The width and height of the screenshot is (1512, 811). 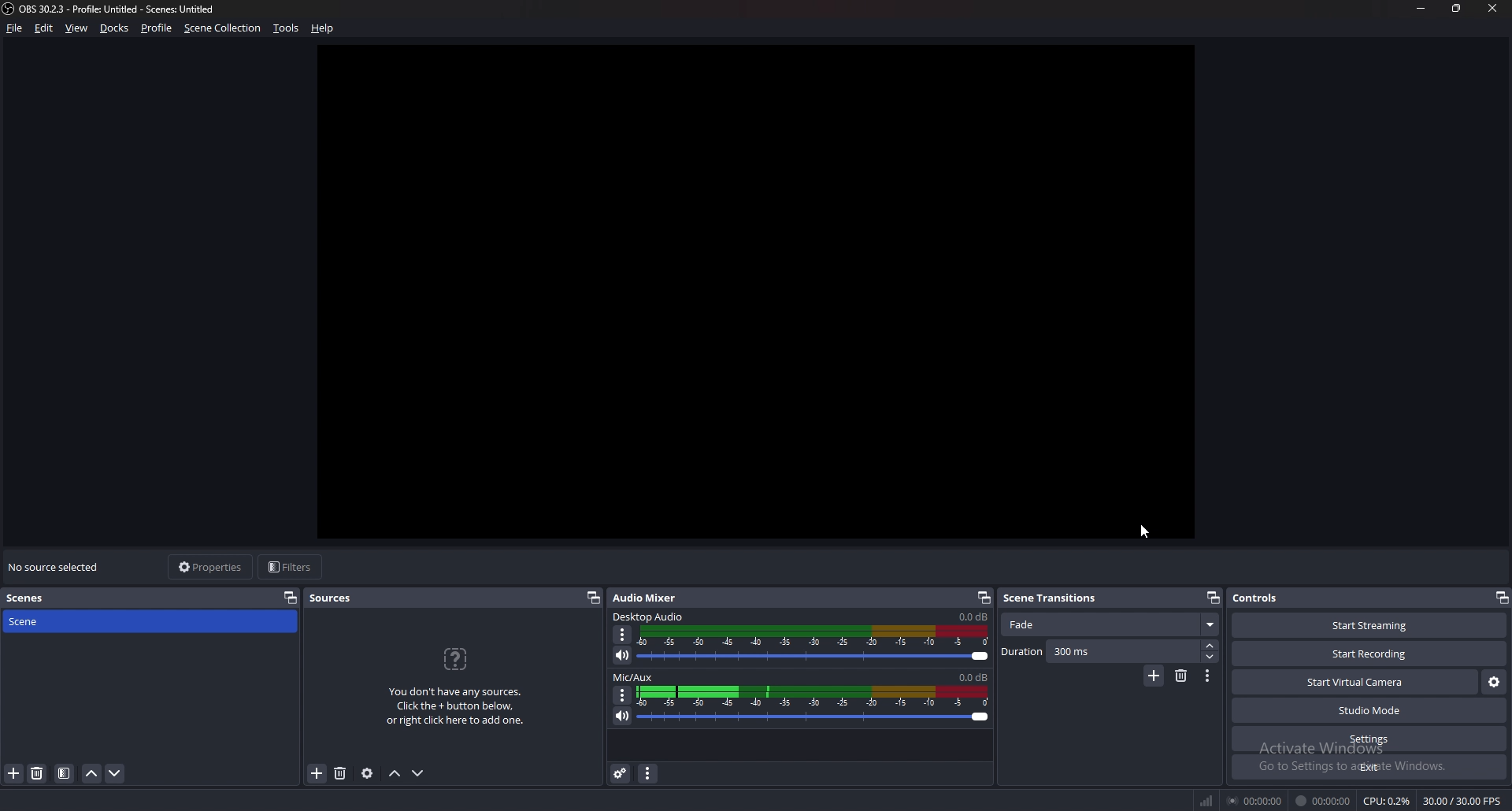 I want to click on increase duration, so click(x=1210, y=645).